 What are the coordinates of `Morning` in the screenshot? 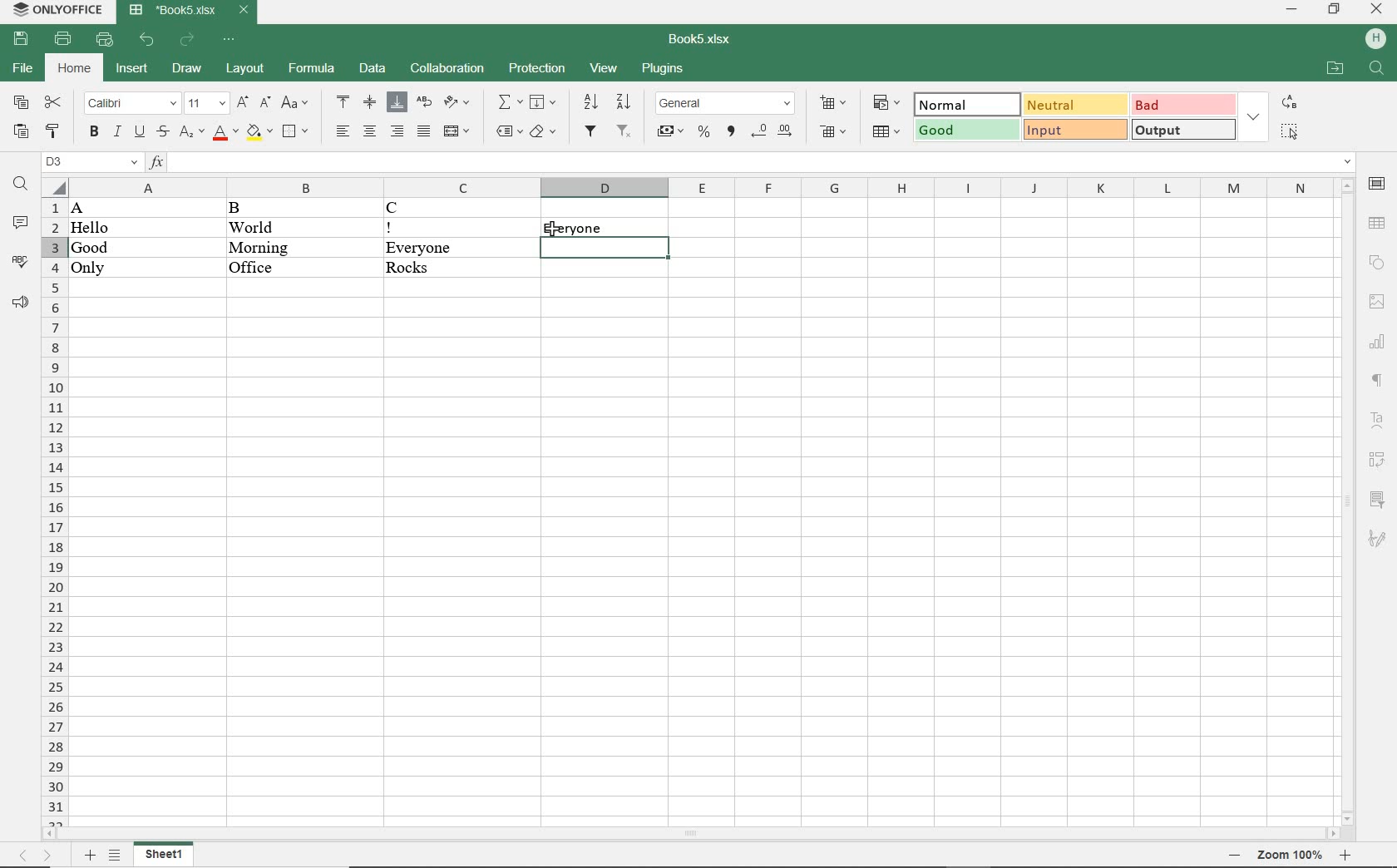 It's located at (281, 247).